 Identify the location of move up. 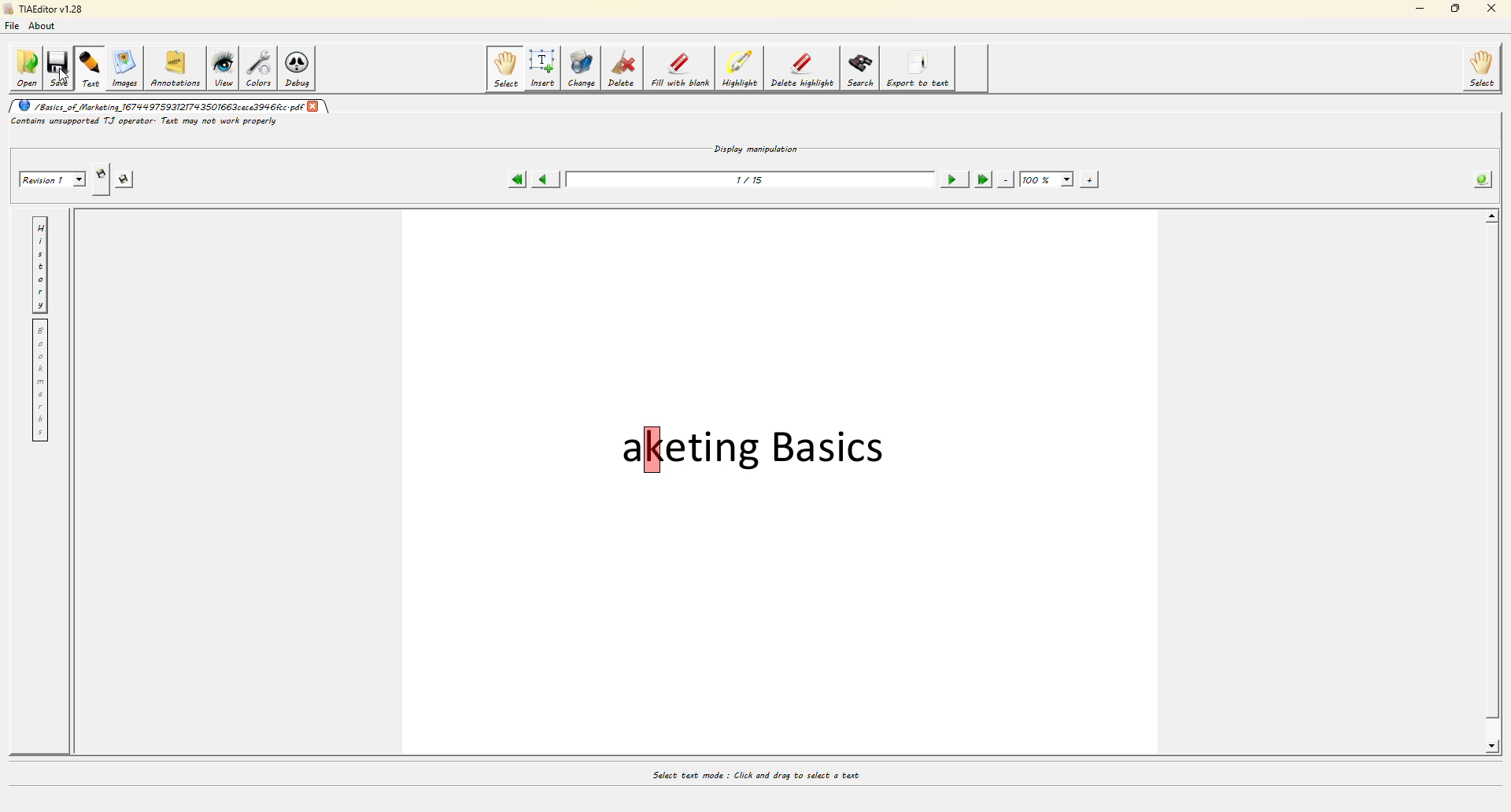
(1492, 215).